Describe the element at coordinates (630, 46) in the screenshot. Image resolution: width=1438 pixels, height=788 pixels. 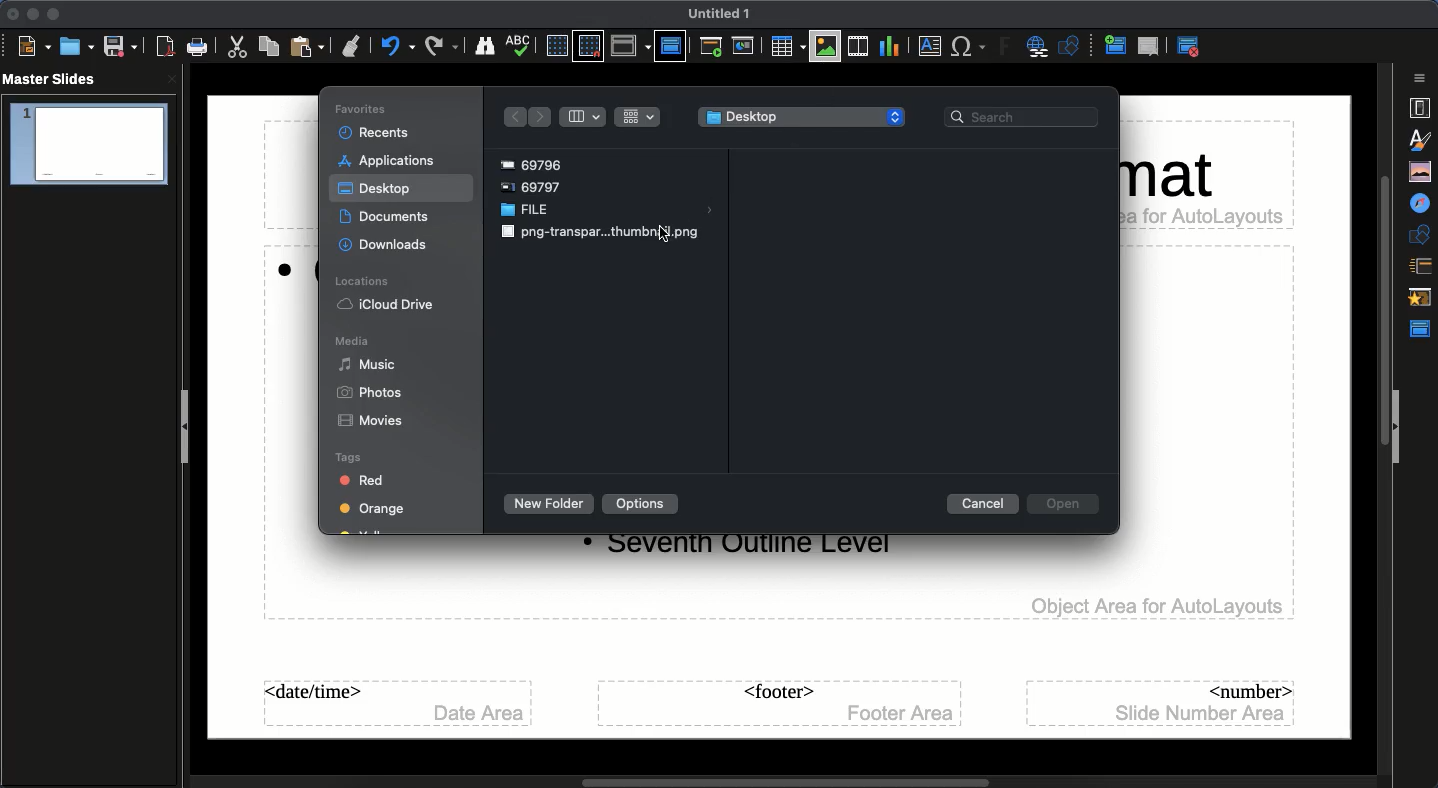
I see `Display view` at that location.